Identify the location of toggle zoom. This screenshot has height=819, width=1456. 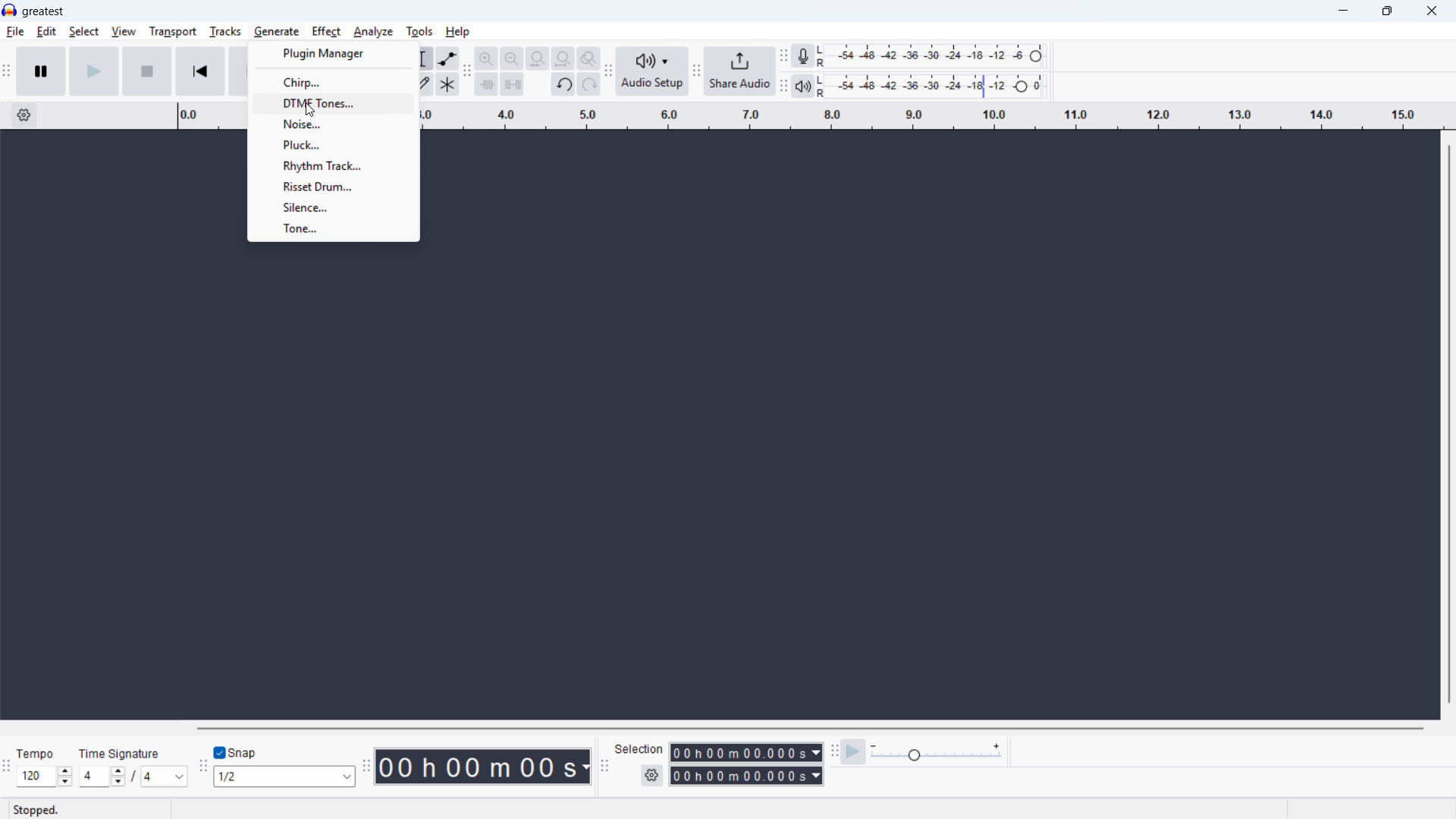
(589, 58).